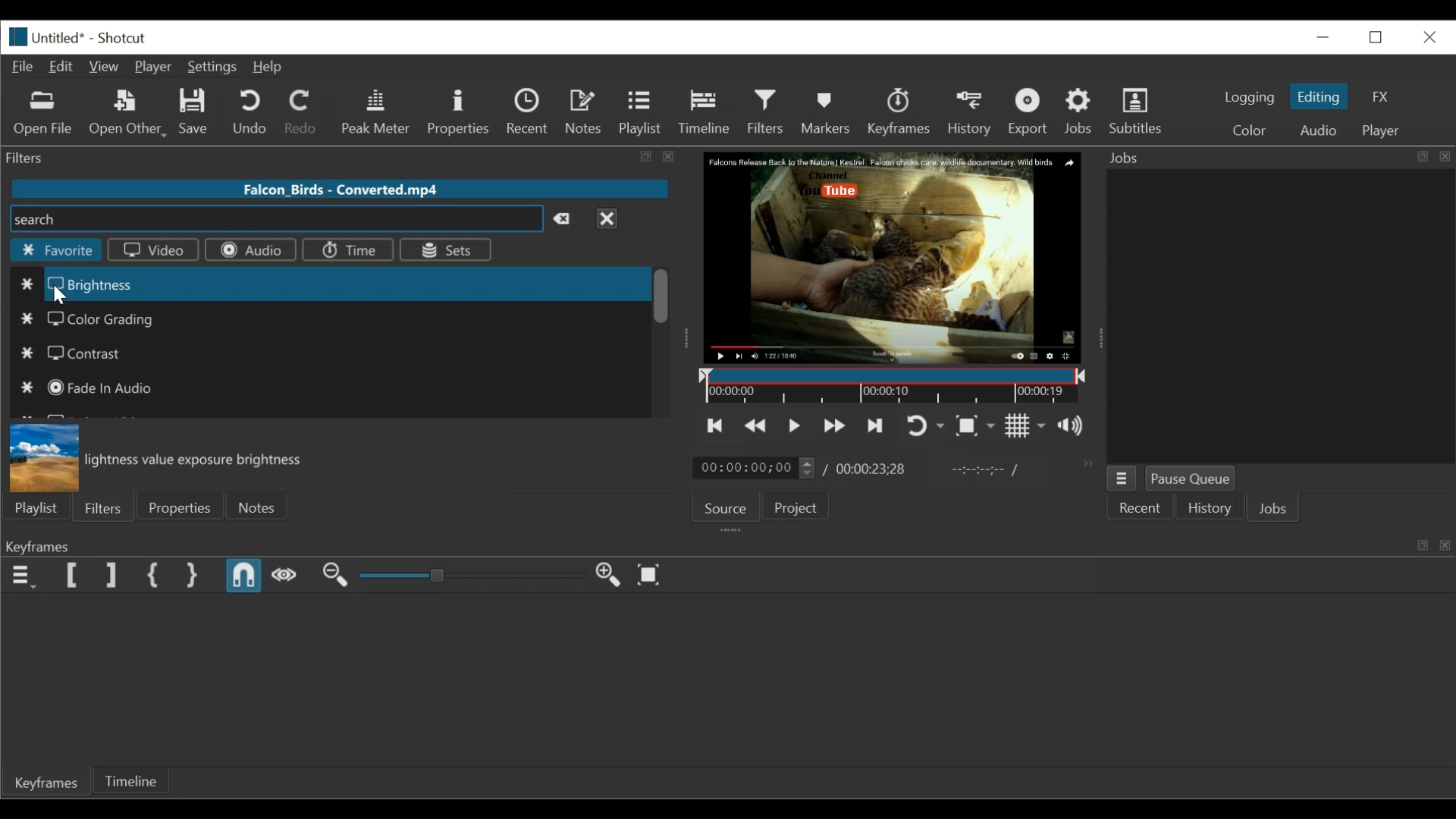 The height and width of the screenshot is (819, 1456). What do you see at coordinates (1382, 130) in the screenshot?
I see `Player` at bounding box center [1382, 130].